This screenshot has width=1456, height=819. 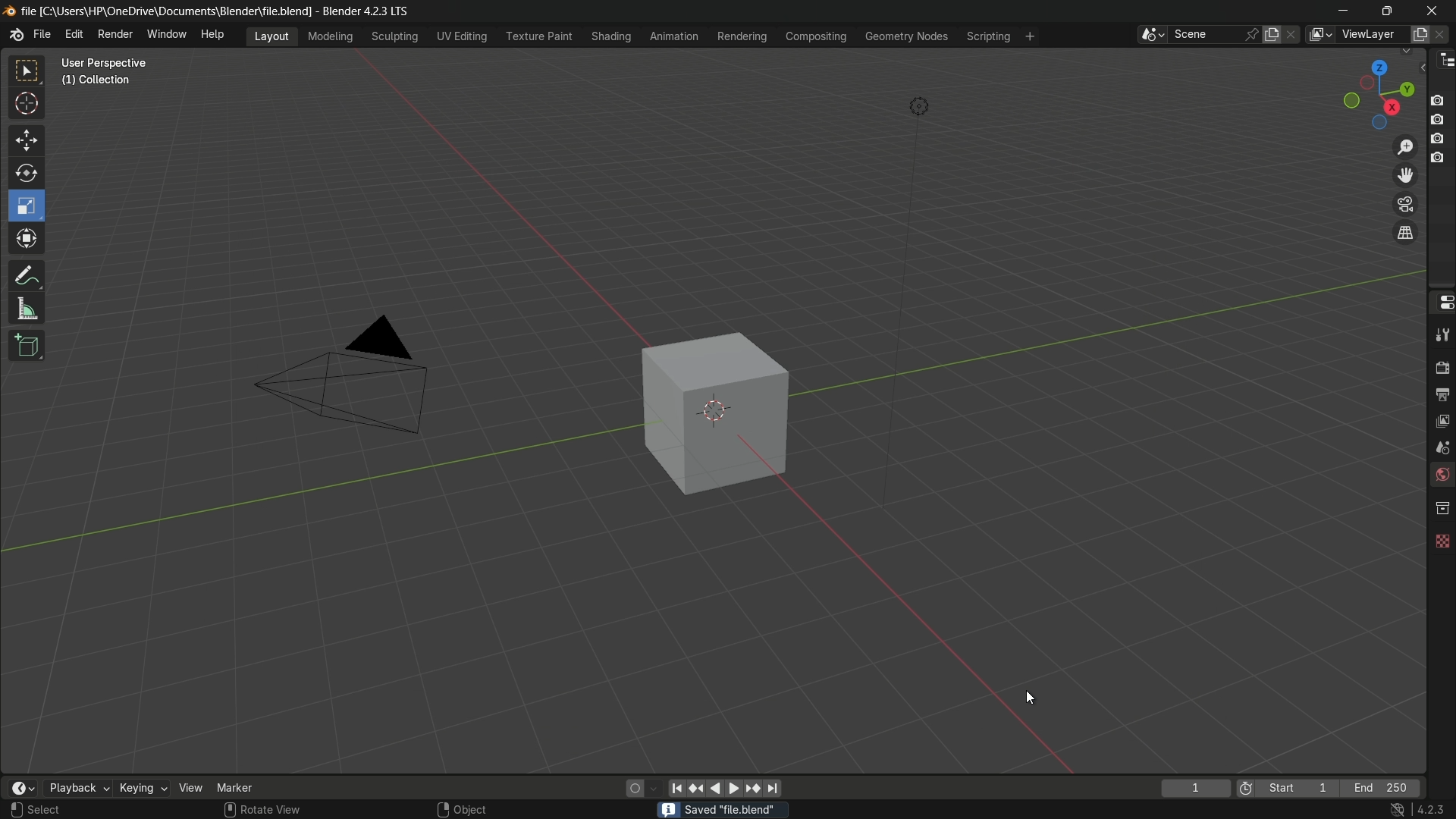 I want to click on edit menu, so click(x=74, y=34).